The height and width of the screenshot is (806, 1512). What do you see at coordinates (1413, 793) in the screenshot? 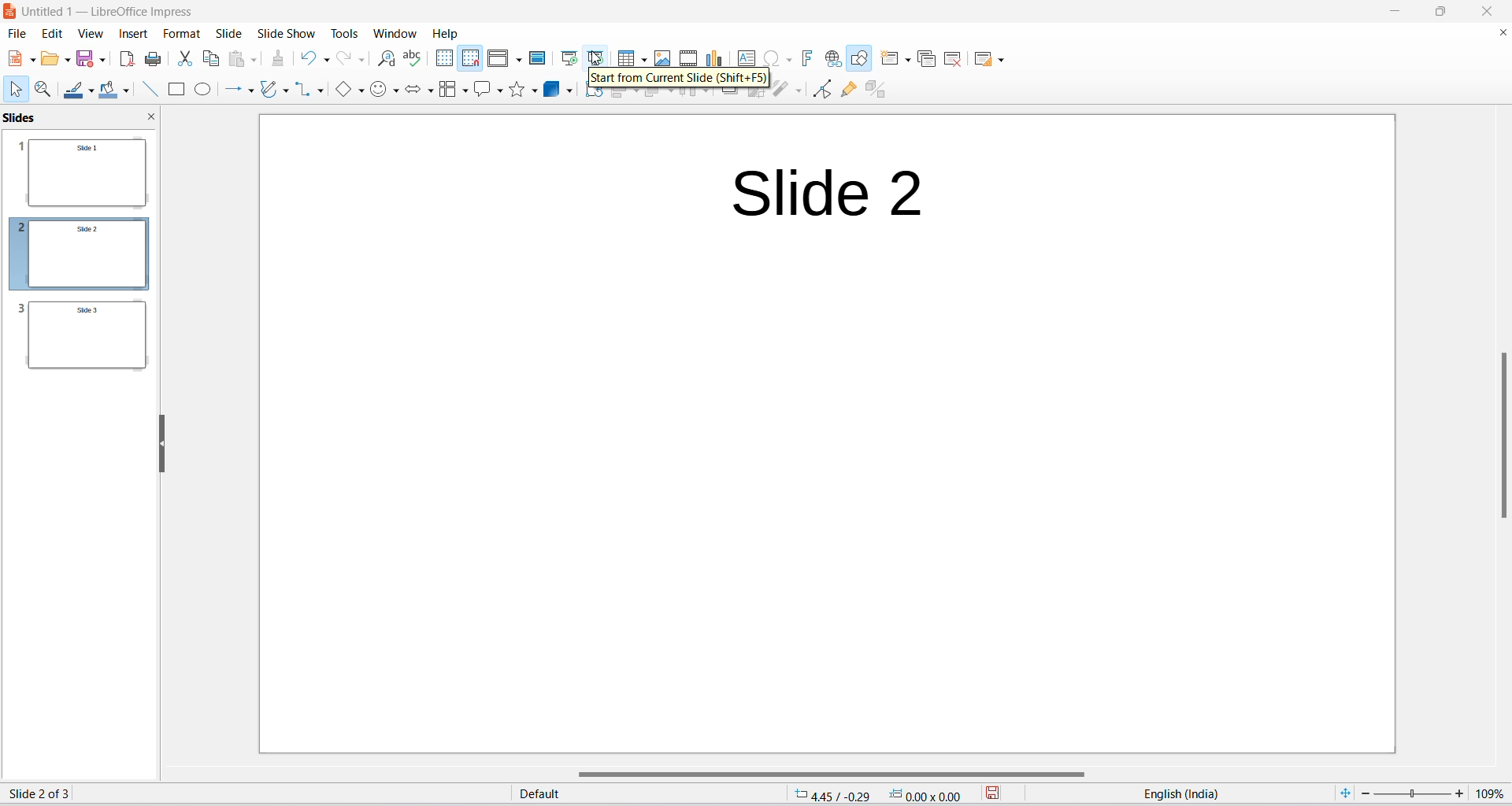
I see `zoom slider` at bounding box center [1413, 793].